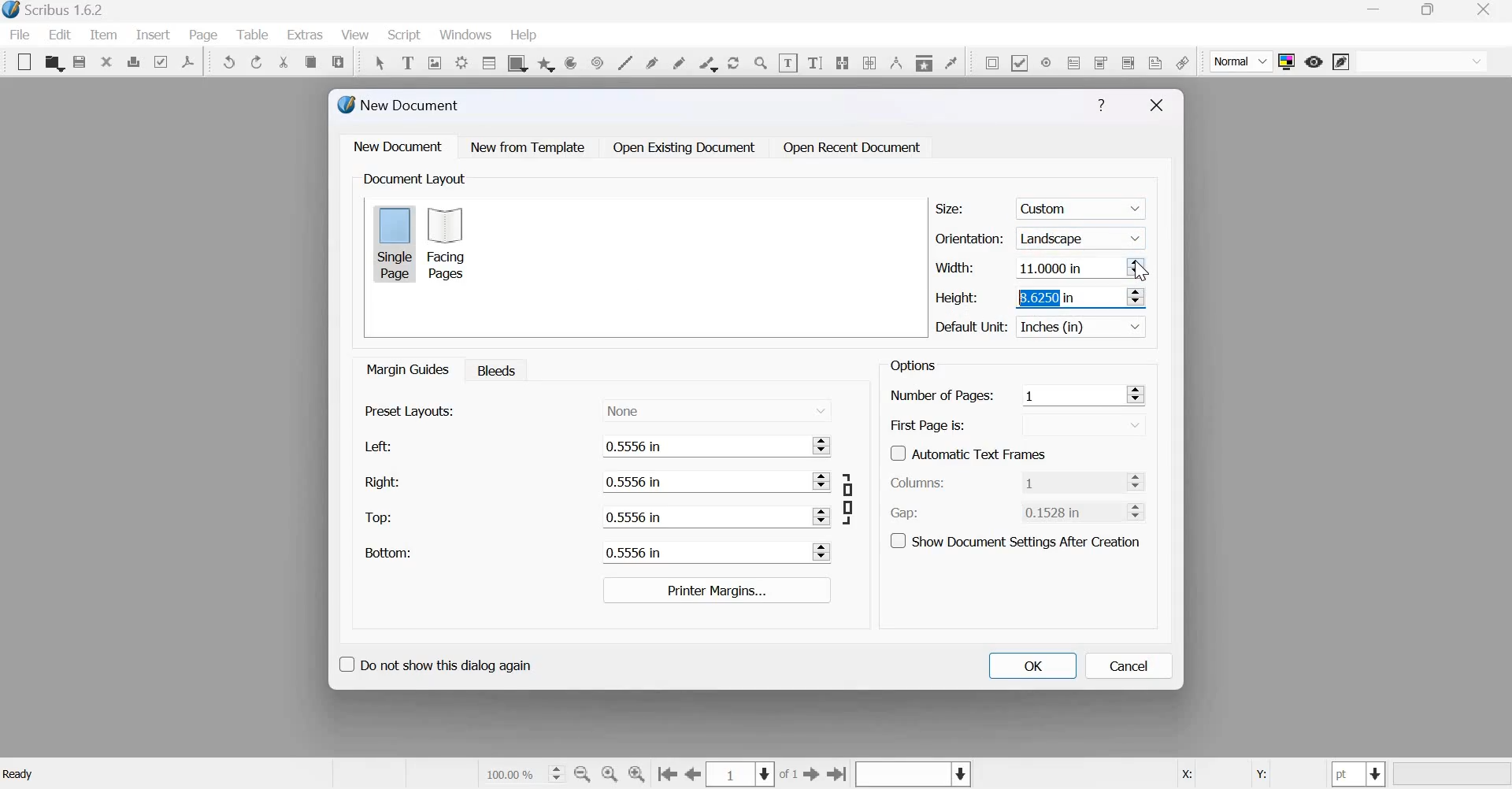  Describe the element at coordinates (1134, 394) in the screenshot. I see `Increase and Decrease` at that location.